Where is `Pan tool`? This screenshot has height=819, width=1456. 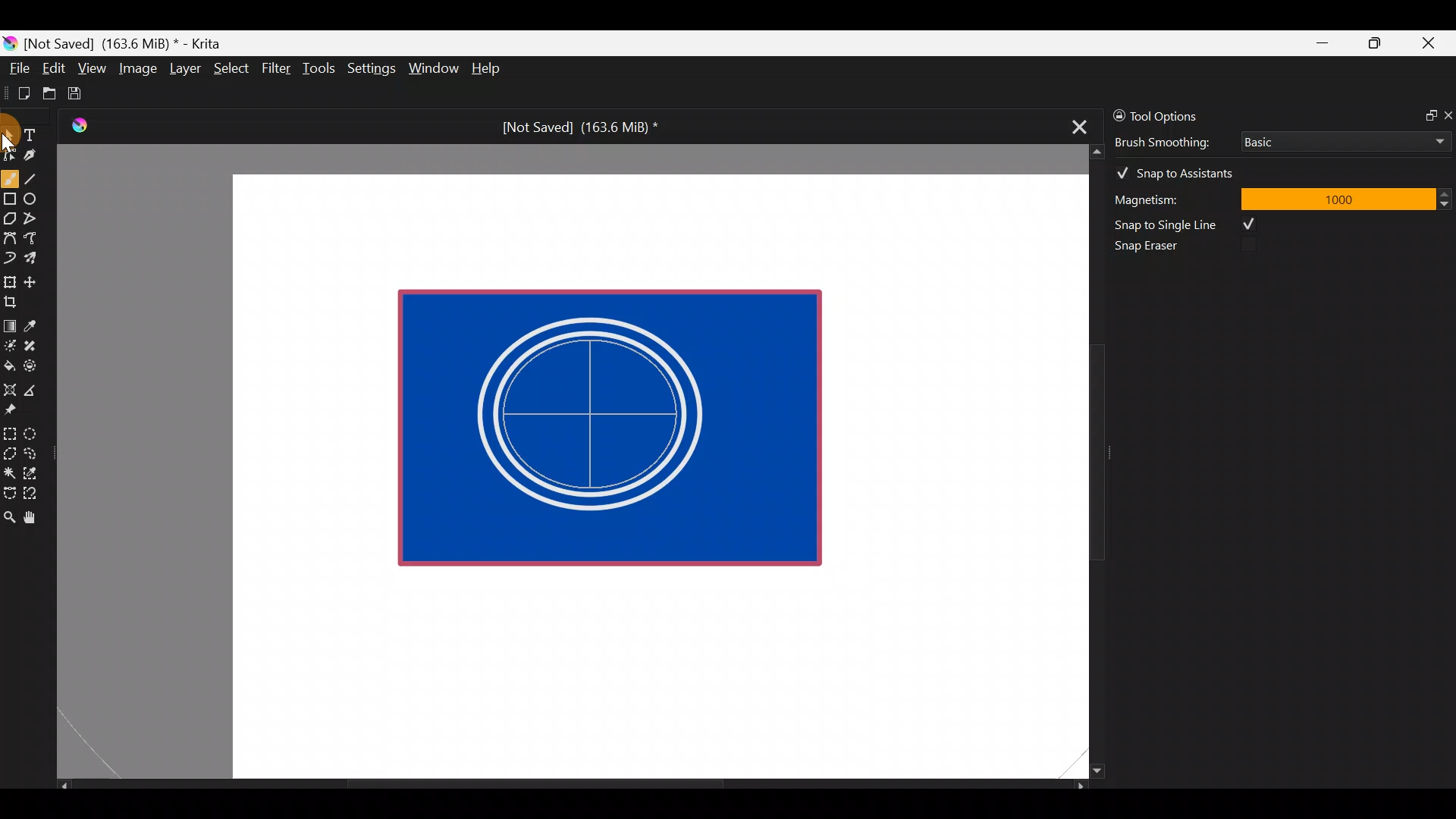 Pan tool is located at coordinates (36, 518).